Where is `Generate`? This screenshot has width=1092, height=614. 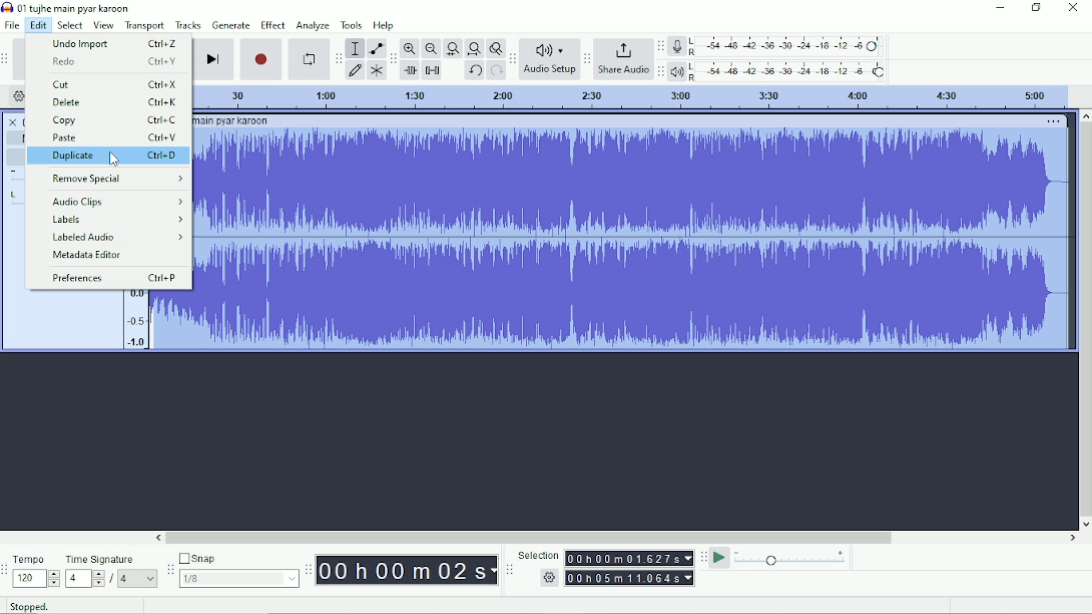 Generate is located at coordinates (231, 25).